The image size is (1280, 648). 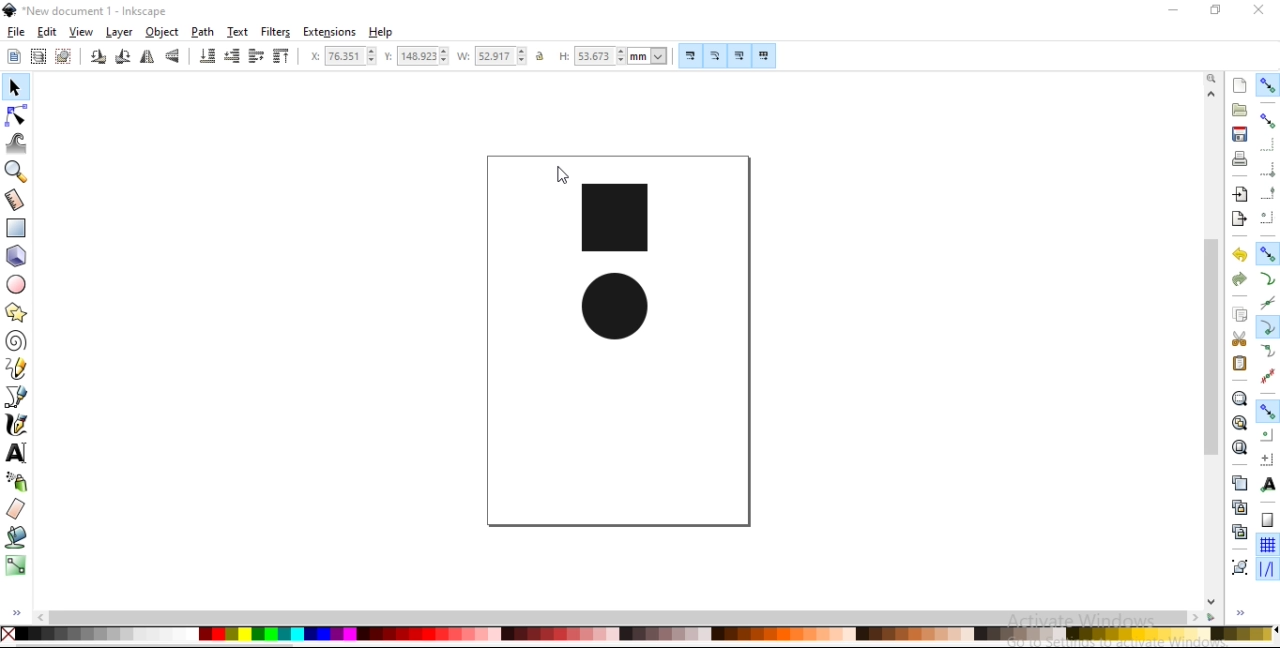 What do you see at coordinates (1267, 119) in the screenshot?
I see `snap bounding boxes` at bounding box center [1267, 119].